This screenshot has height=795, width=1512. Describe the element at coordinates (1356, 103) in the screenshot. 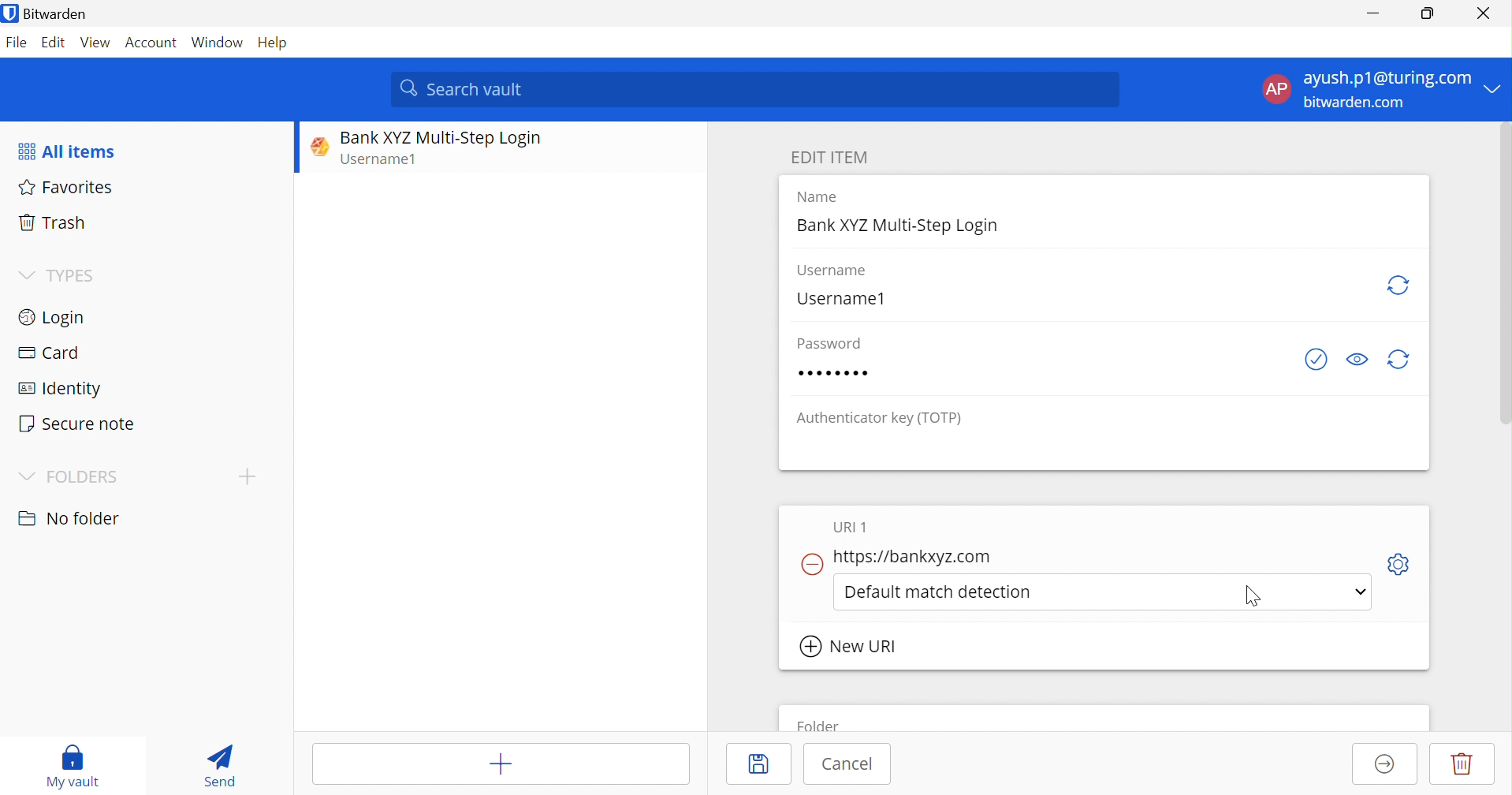

I see `bitwarden.com` at that location.